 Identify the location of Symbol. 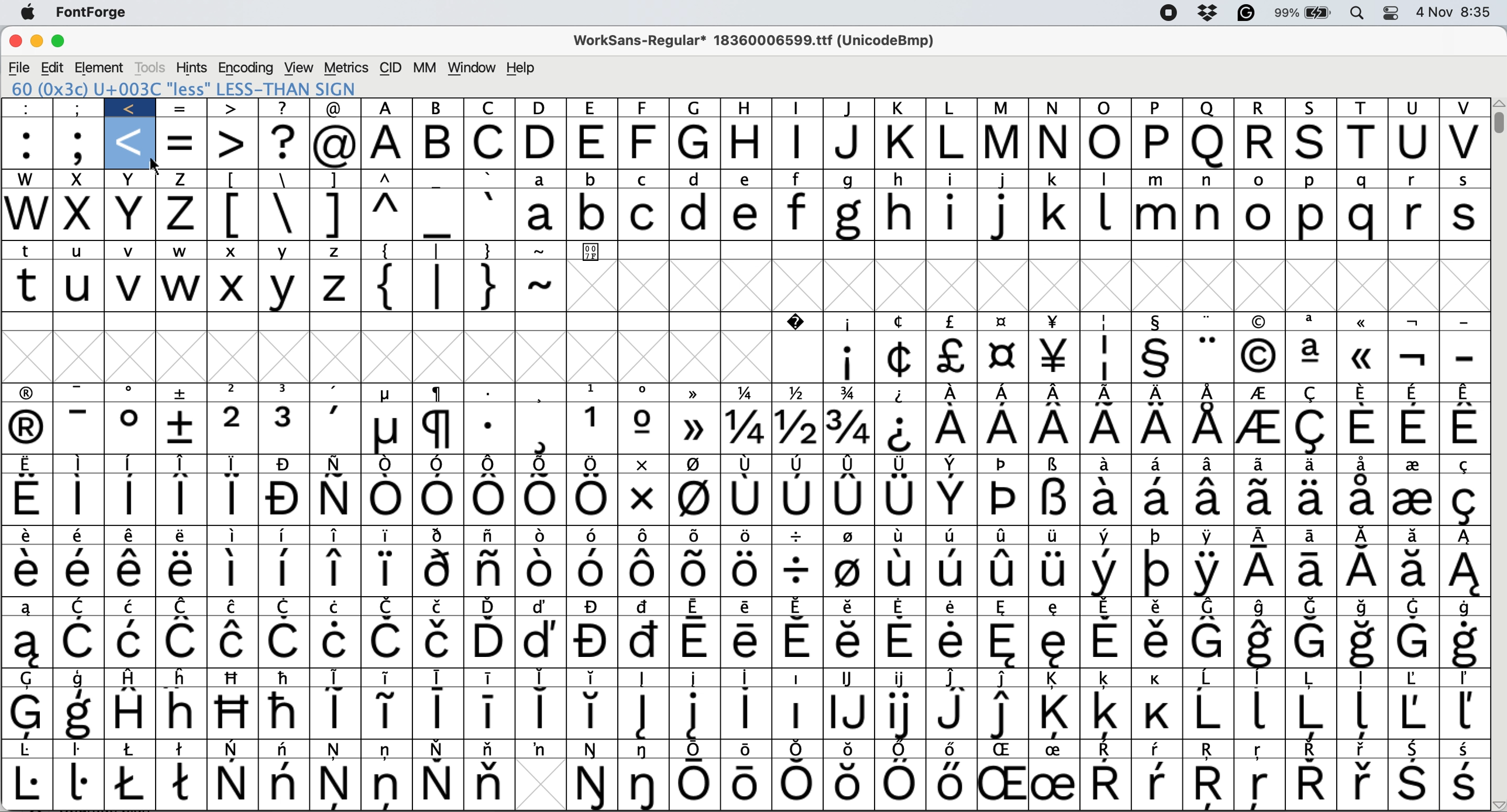
(853, 500).